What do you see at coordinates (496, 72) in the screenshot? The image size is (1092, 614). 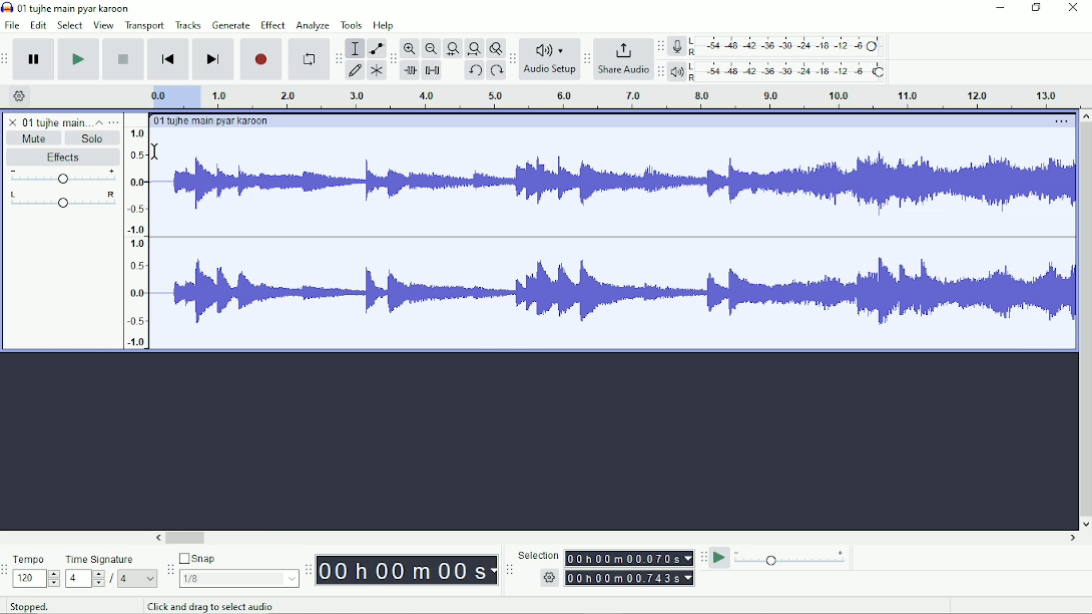 I see `Redo` at bounding box center [496, 72].